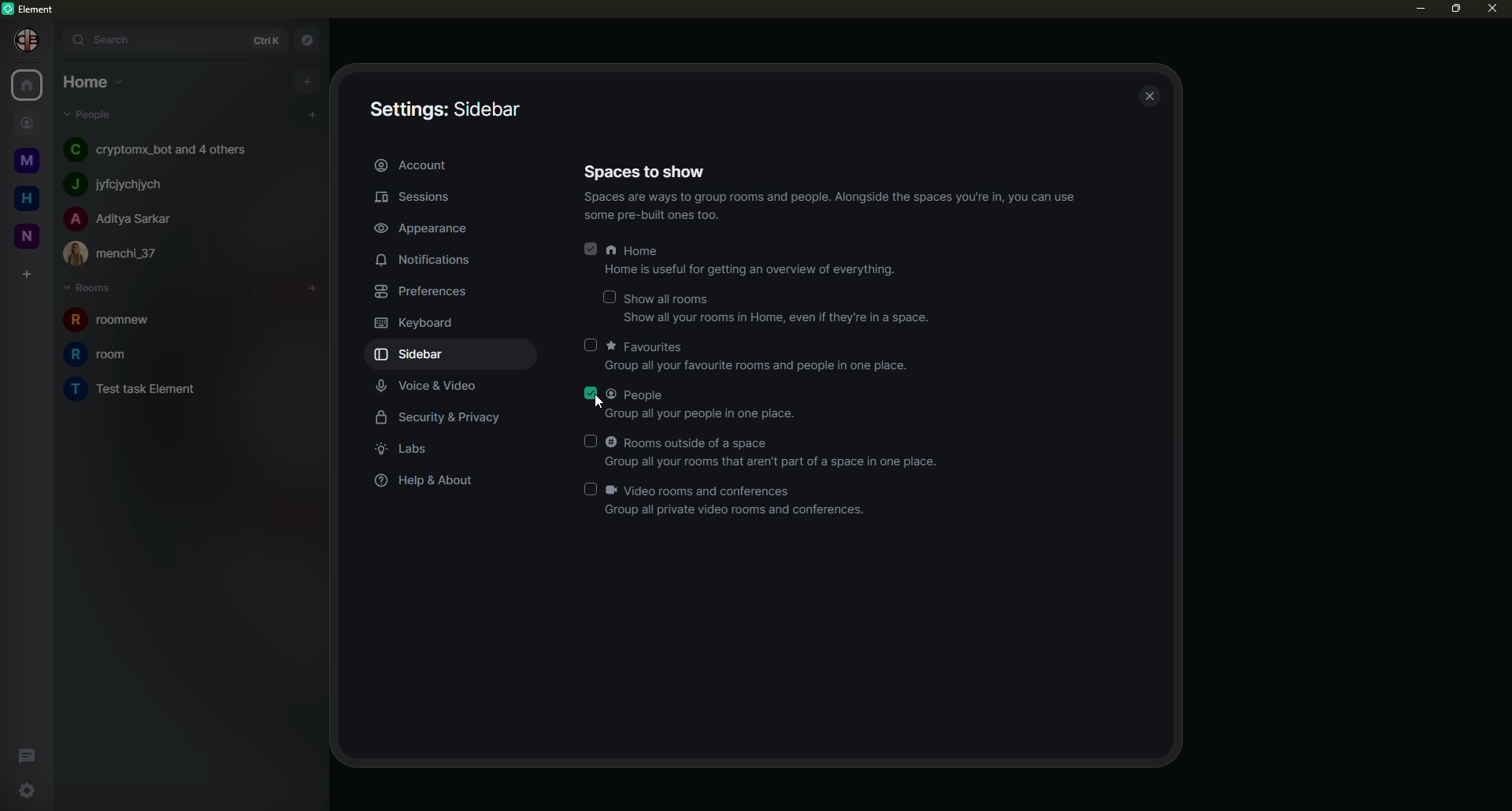 This screenshot has width=1512, height=811. What do you see at coordinates (105, 39) in the screenshot?
I see `search` at bounding box center [105, 39].